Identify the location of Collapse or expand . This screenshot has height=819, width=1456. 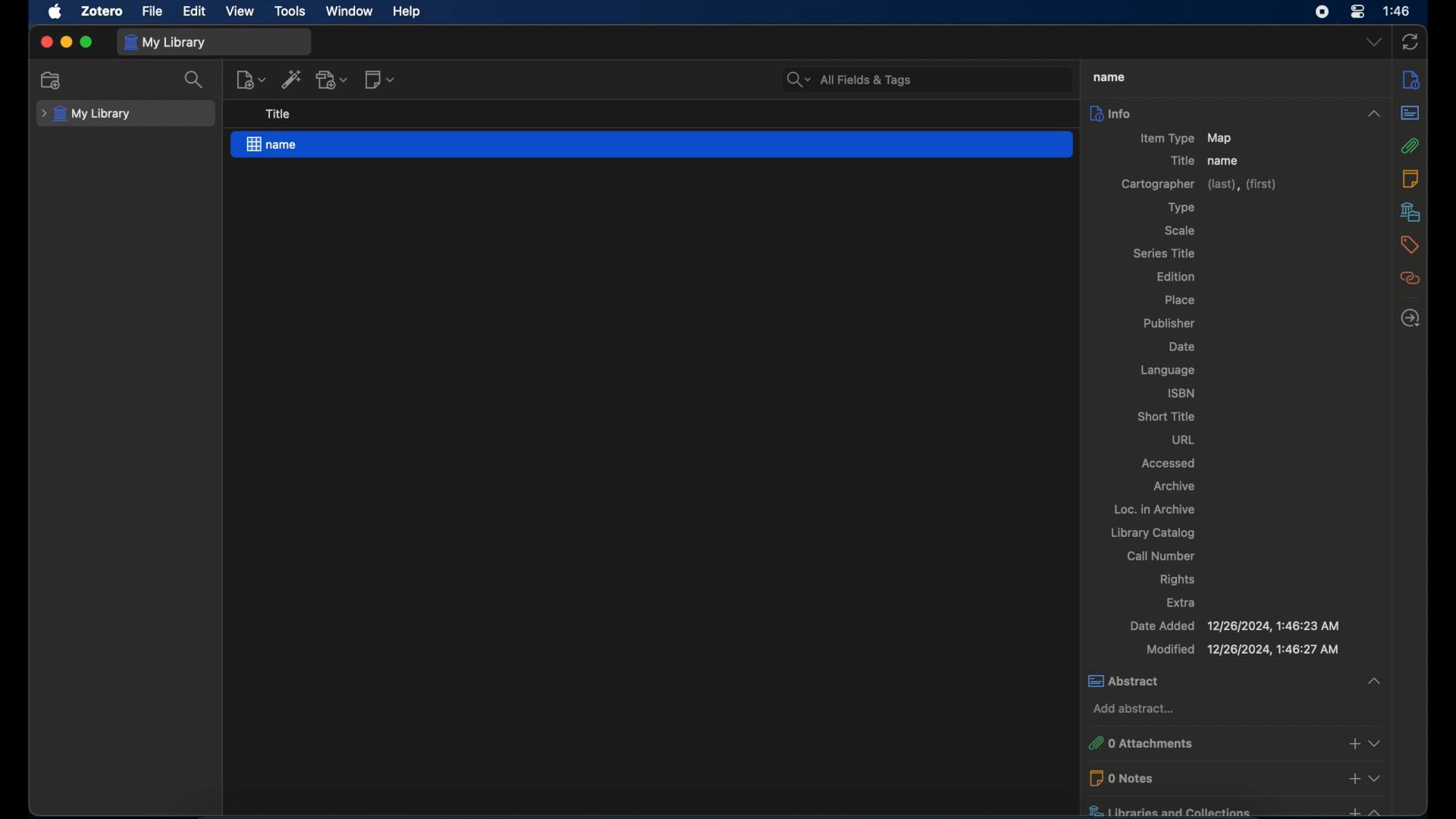
(1376, 777).